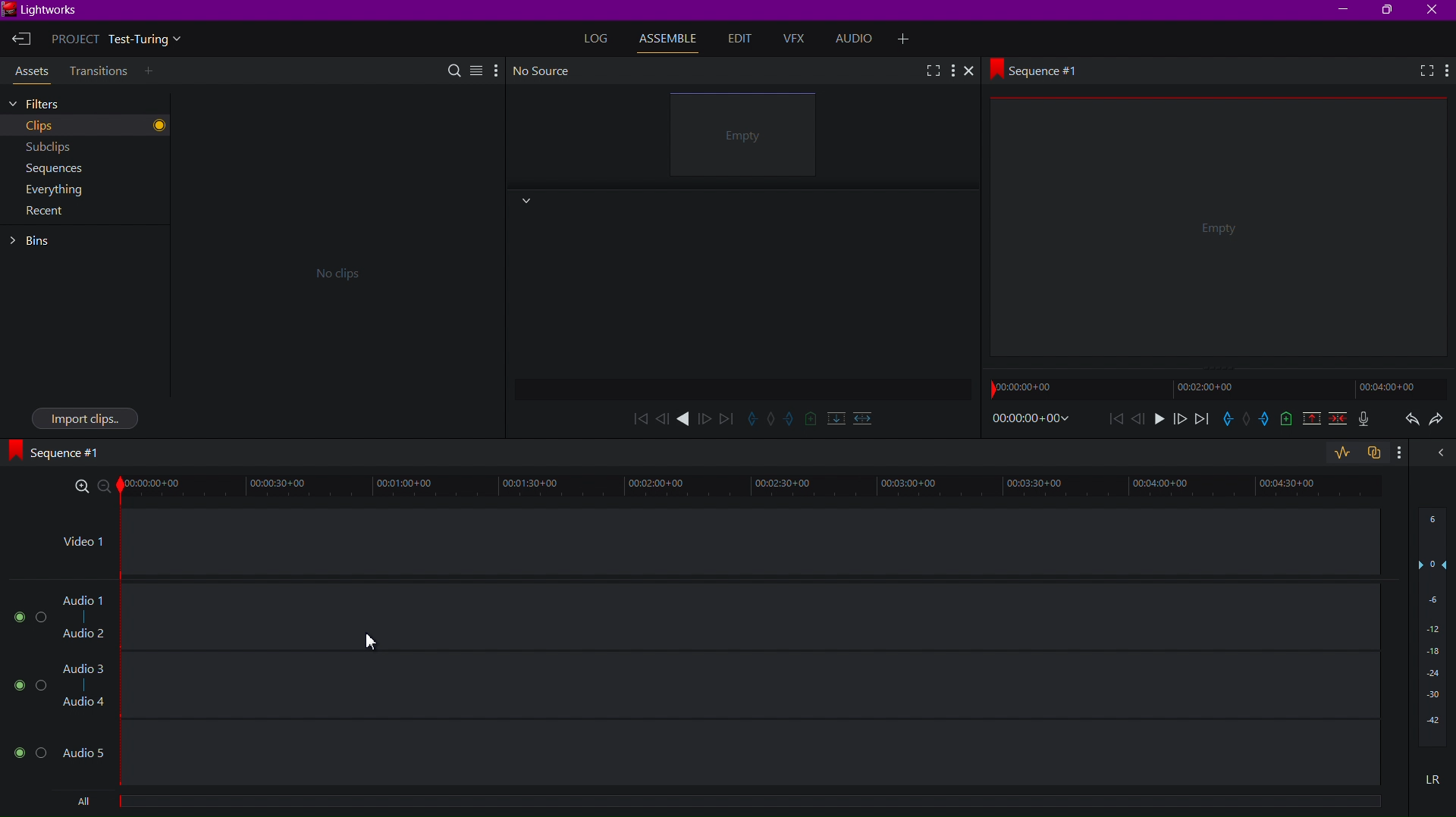 The height and width of the screenshot is (817, 1456). I want to click on Bins, so click(37, 241).